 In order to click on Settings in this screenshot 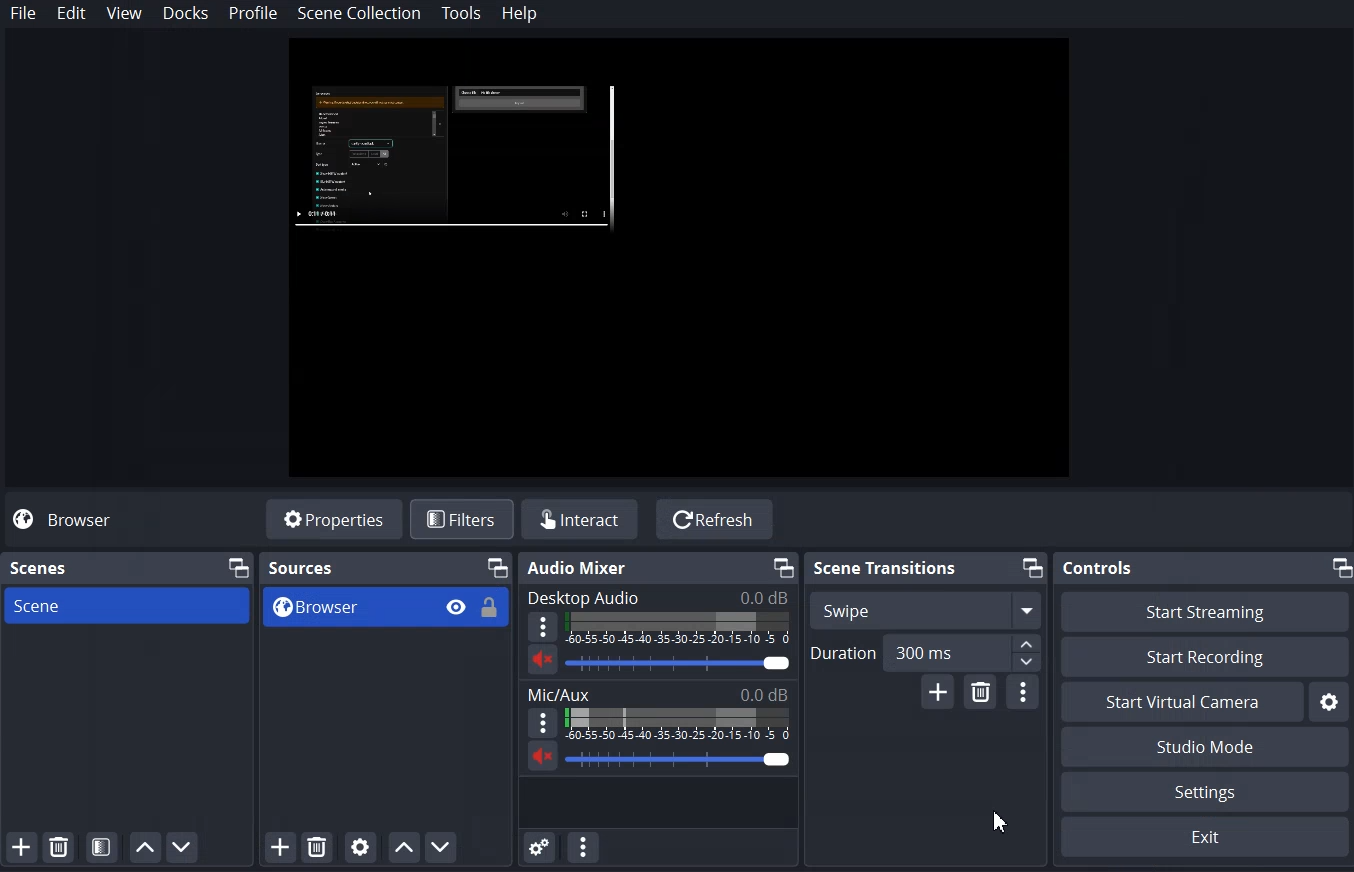, I will do `click(1330, 702)`.